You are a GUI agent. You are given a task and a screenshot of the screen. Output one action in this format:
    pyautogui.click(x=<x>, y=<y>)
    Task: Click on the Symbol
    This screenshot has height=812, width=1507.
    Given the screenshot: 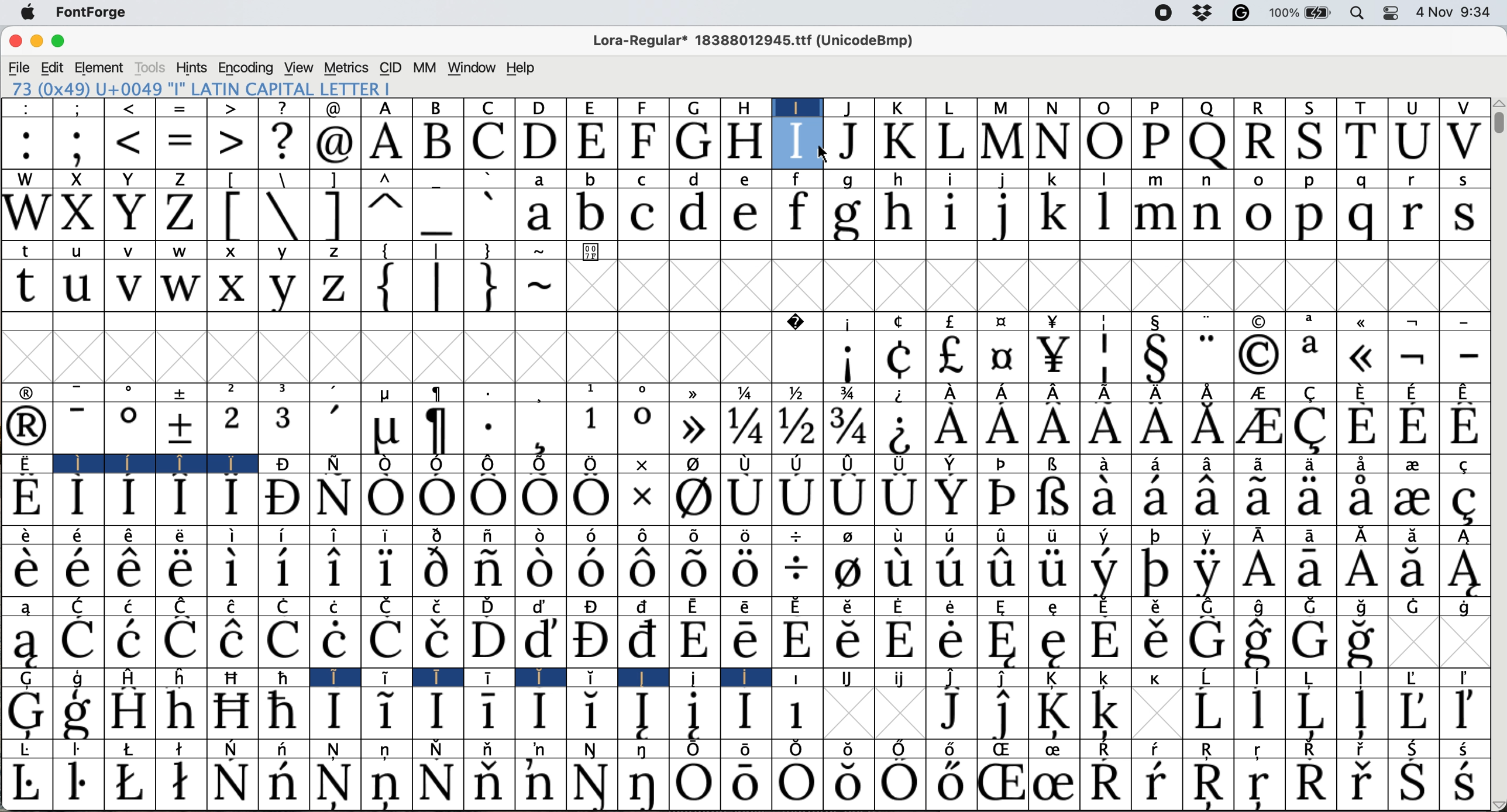 What is the action you would take?
    pyautogui.click(x=29, y=785)
    